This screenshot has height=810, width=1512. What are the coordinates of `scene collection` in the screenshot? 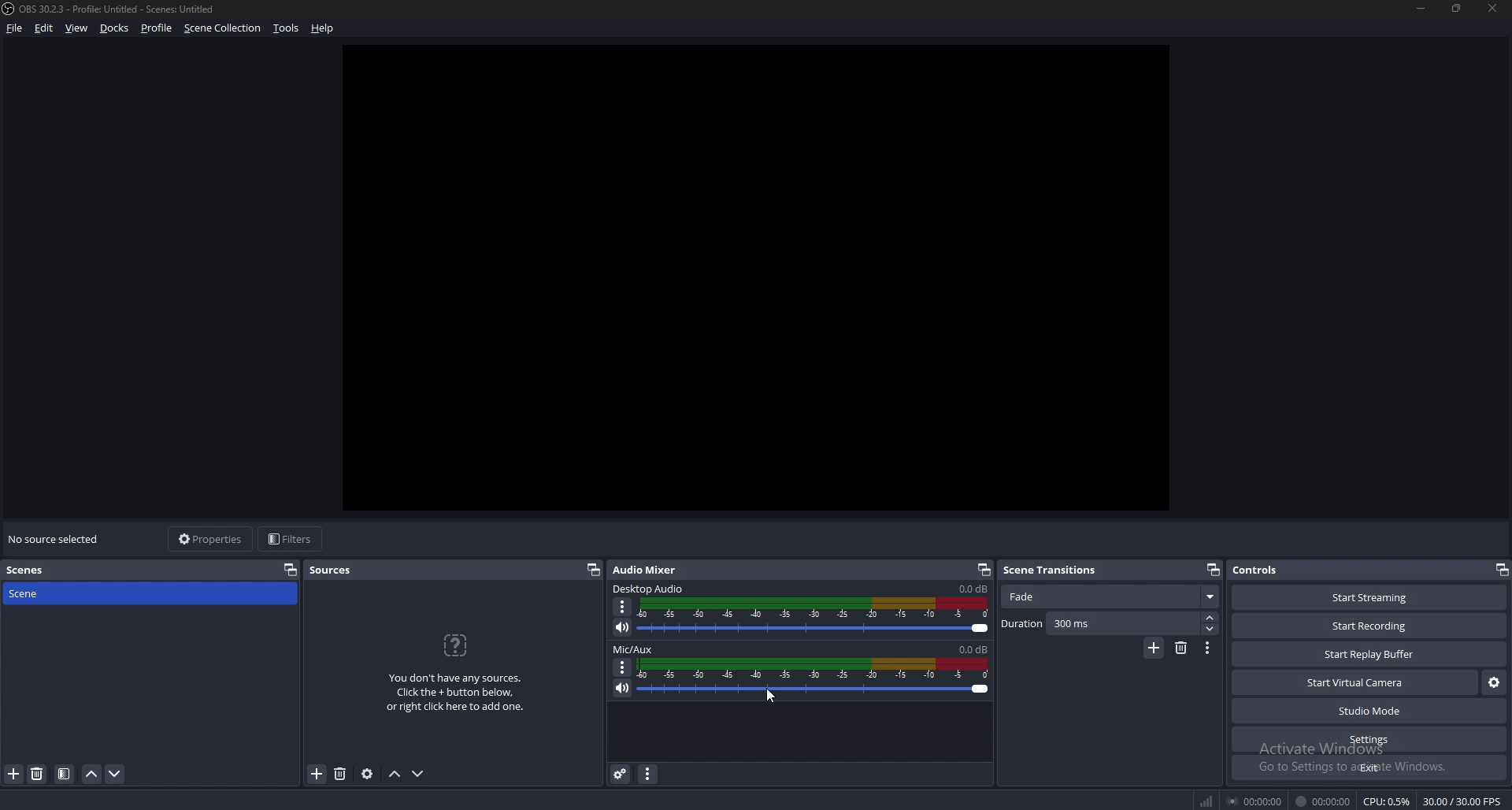 It's located at (223, 28).